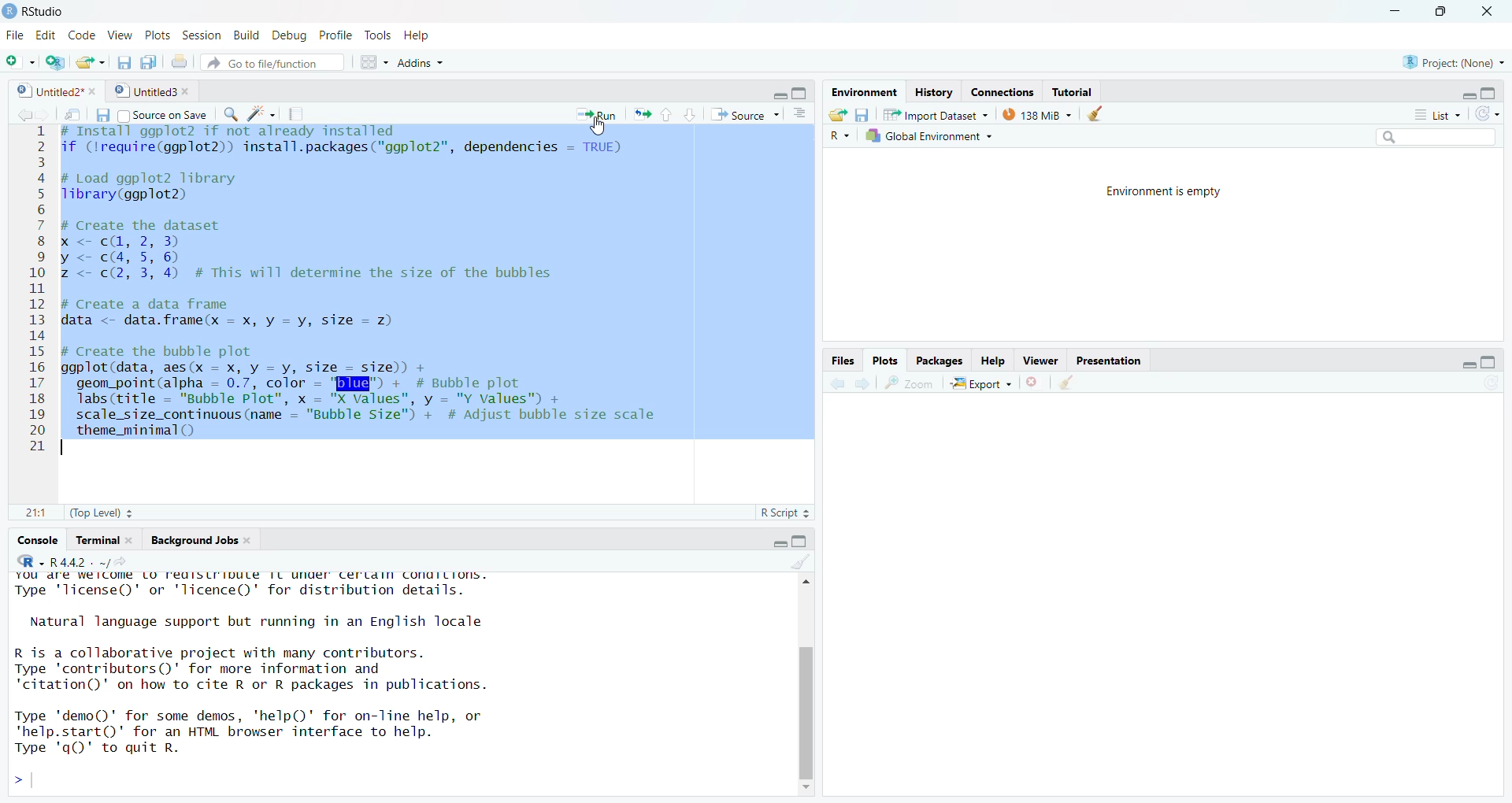 This screenshot has height=803, width=1512. Describe the element at coordinates (92, 515) in the screenshot. I see `(Top Level) 3` at that location.